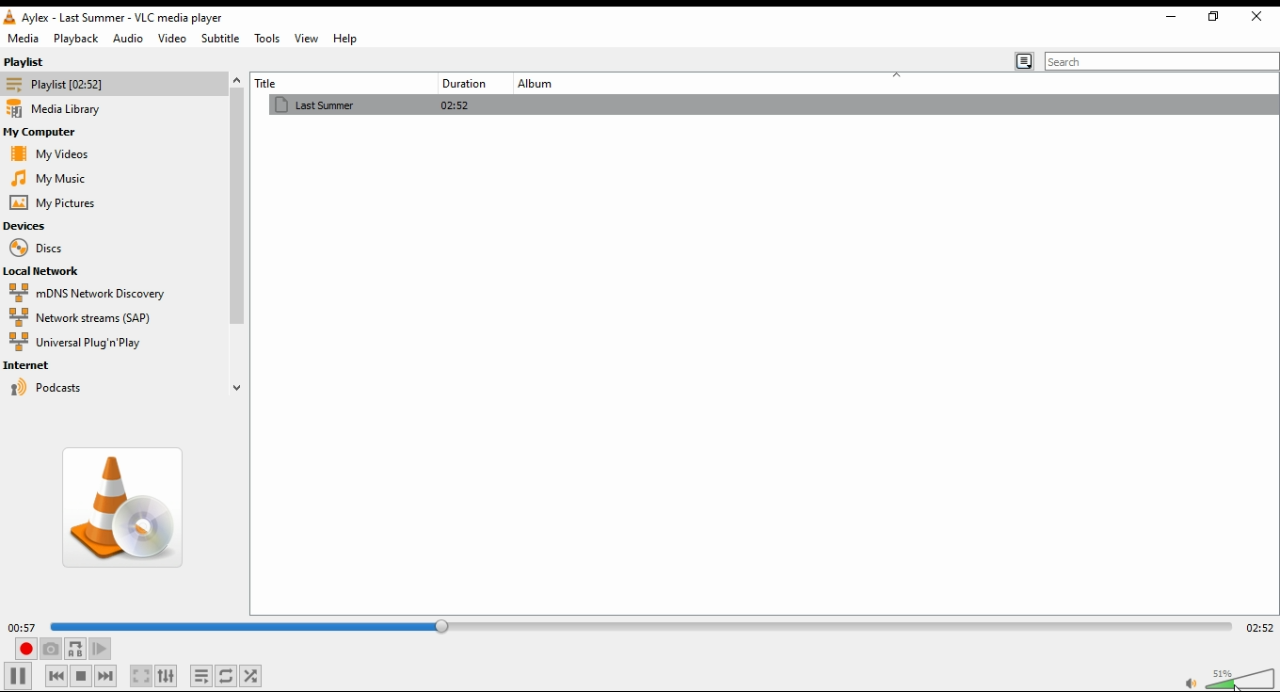 This screenshot has height=692, width=1280. Describe the element at coordinates (171, 39) in the screenshot. I see `video` at that location.